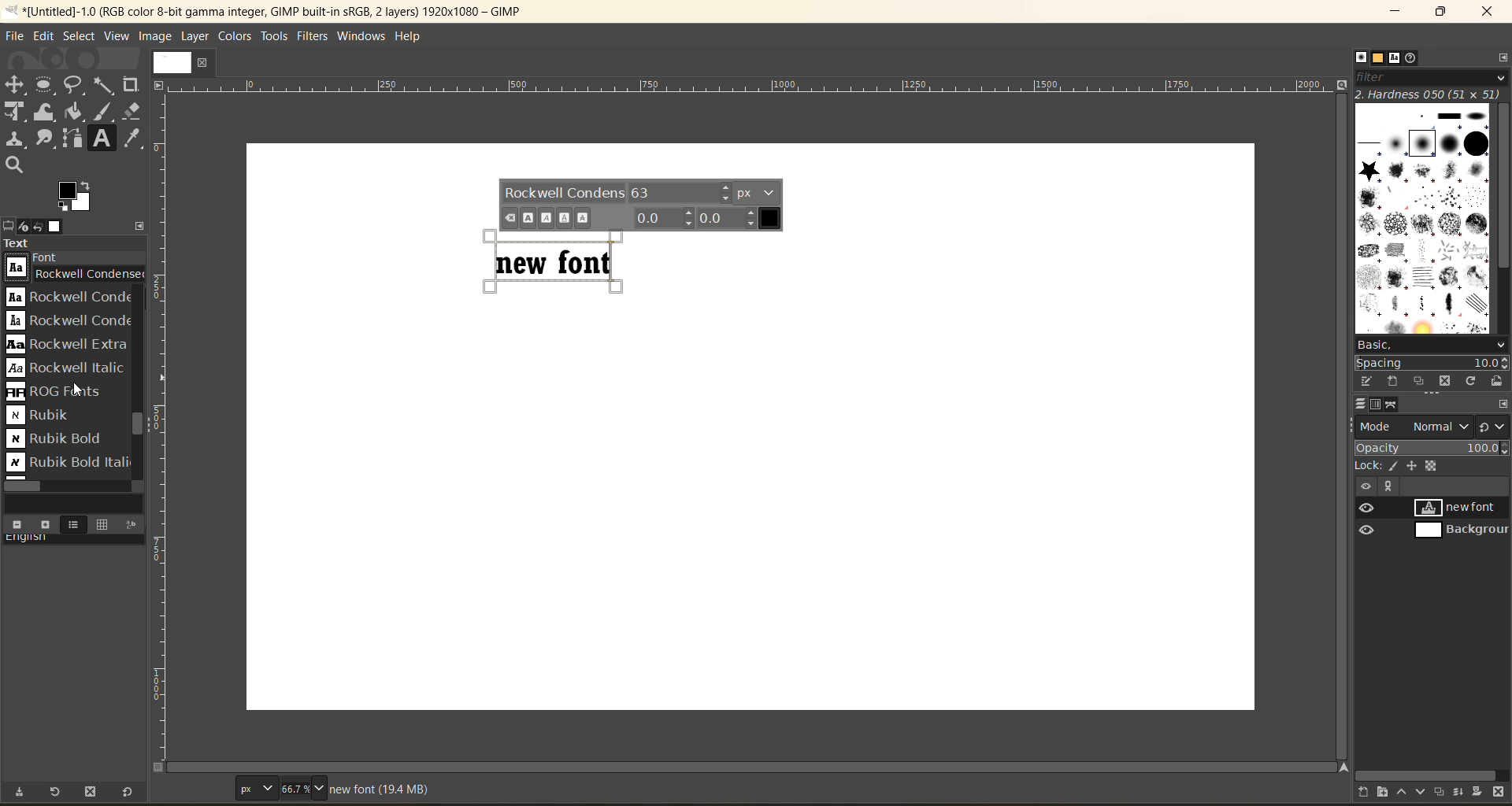  I want to click on layer, so click(196, 36).